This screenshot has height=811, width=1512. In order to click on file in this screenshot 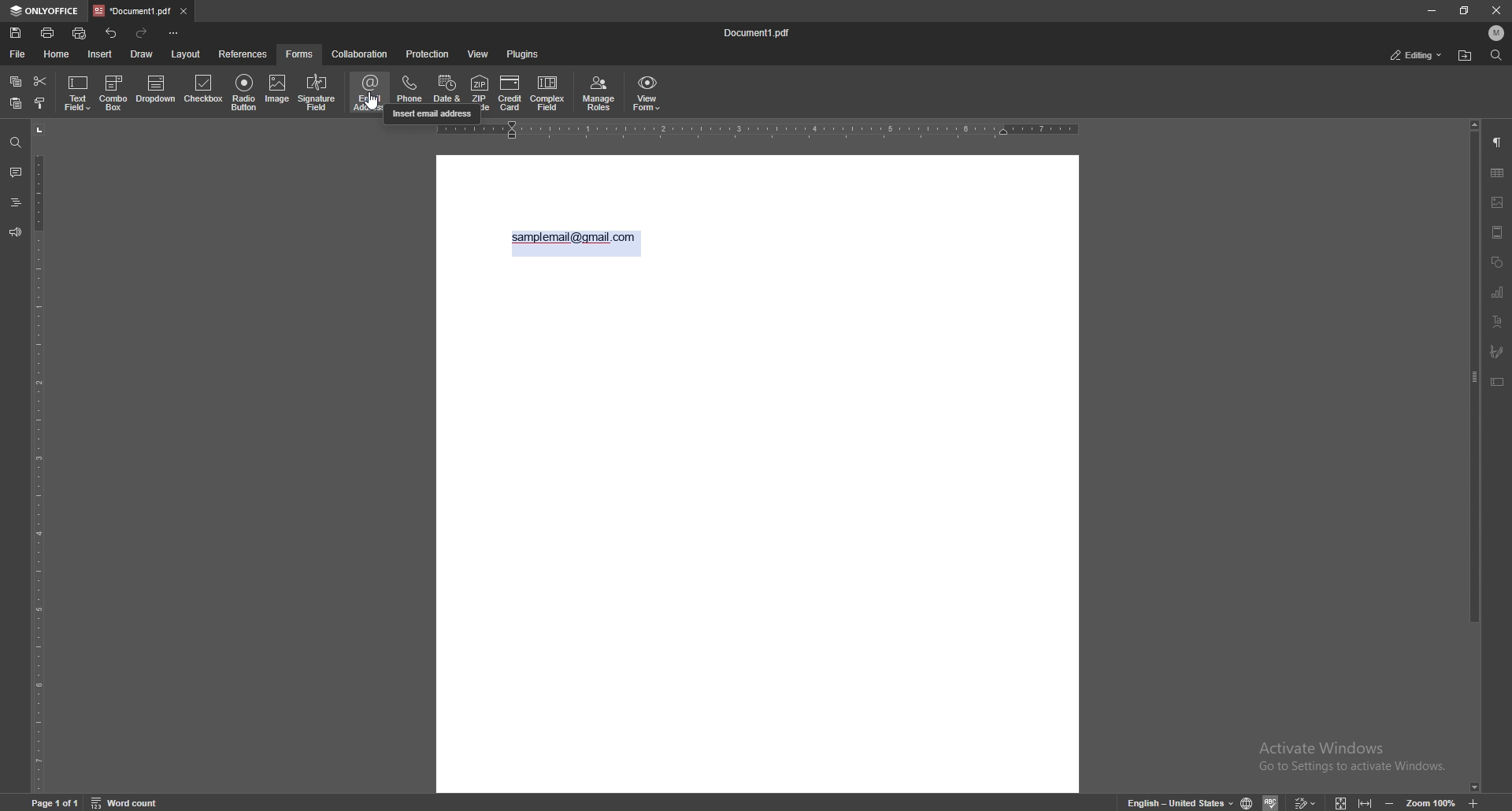, I will do `click(17, 54)`.